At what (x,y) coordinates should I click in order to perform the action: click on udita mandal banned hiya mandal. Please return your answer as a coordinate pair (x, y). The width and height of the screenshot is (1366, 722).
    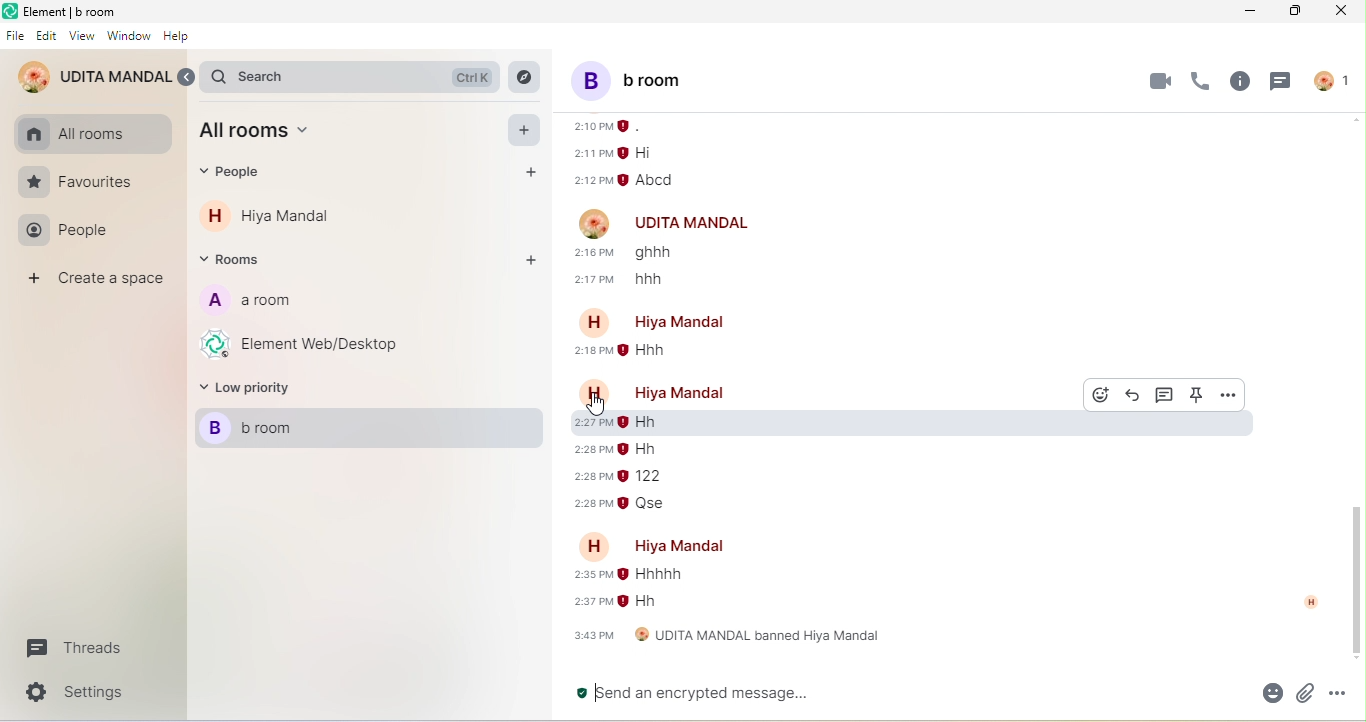
    Looking at the image, I should click on (725, 639).